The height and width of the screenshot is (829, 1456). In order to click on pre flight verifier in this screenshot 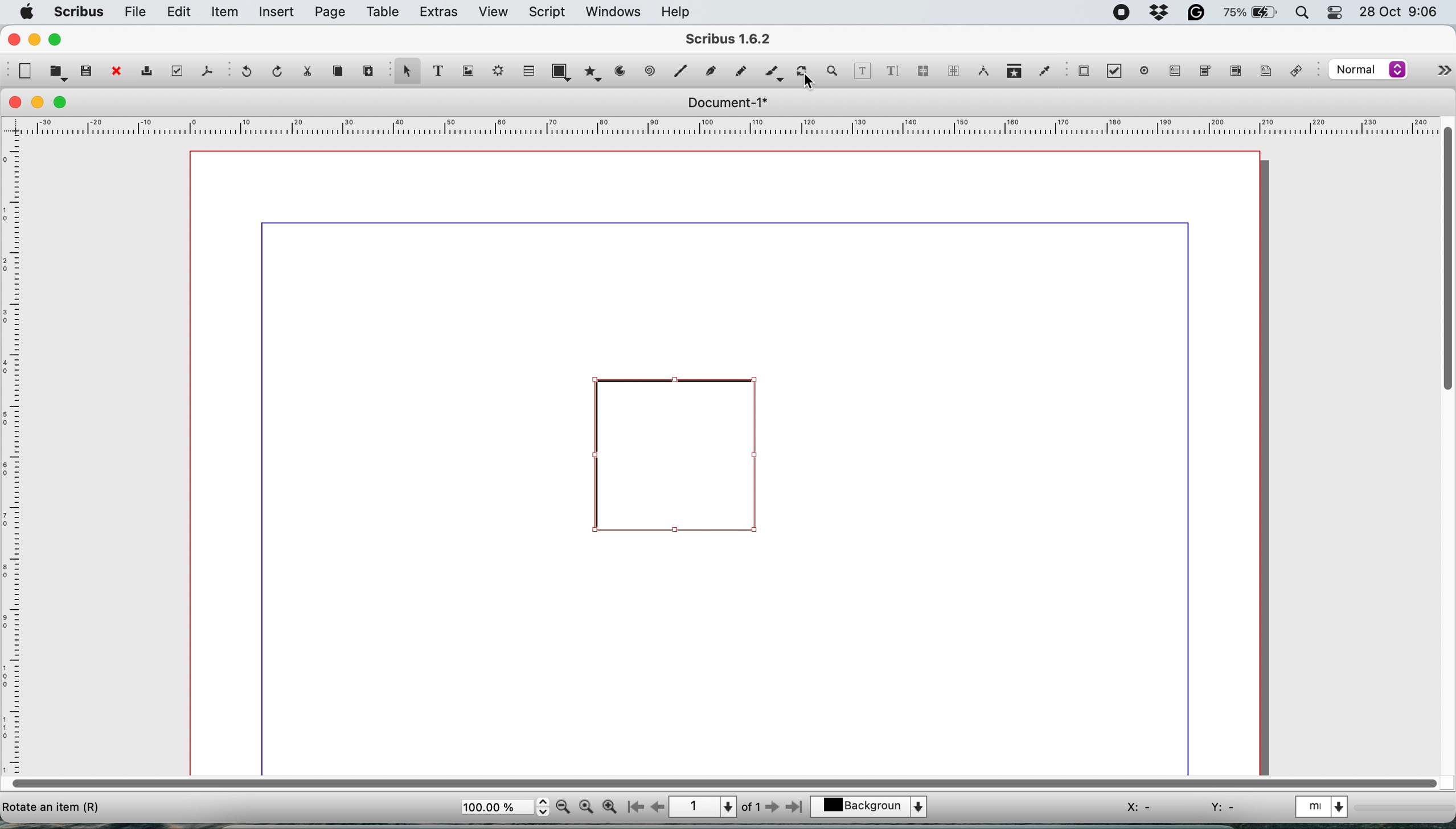, I will do `click(178, 72)`.